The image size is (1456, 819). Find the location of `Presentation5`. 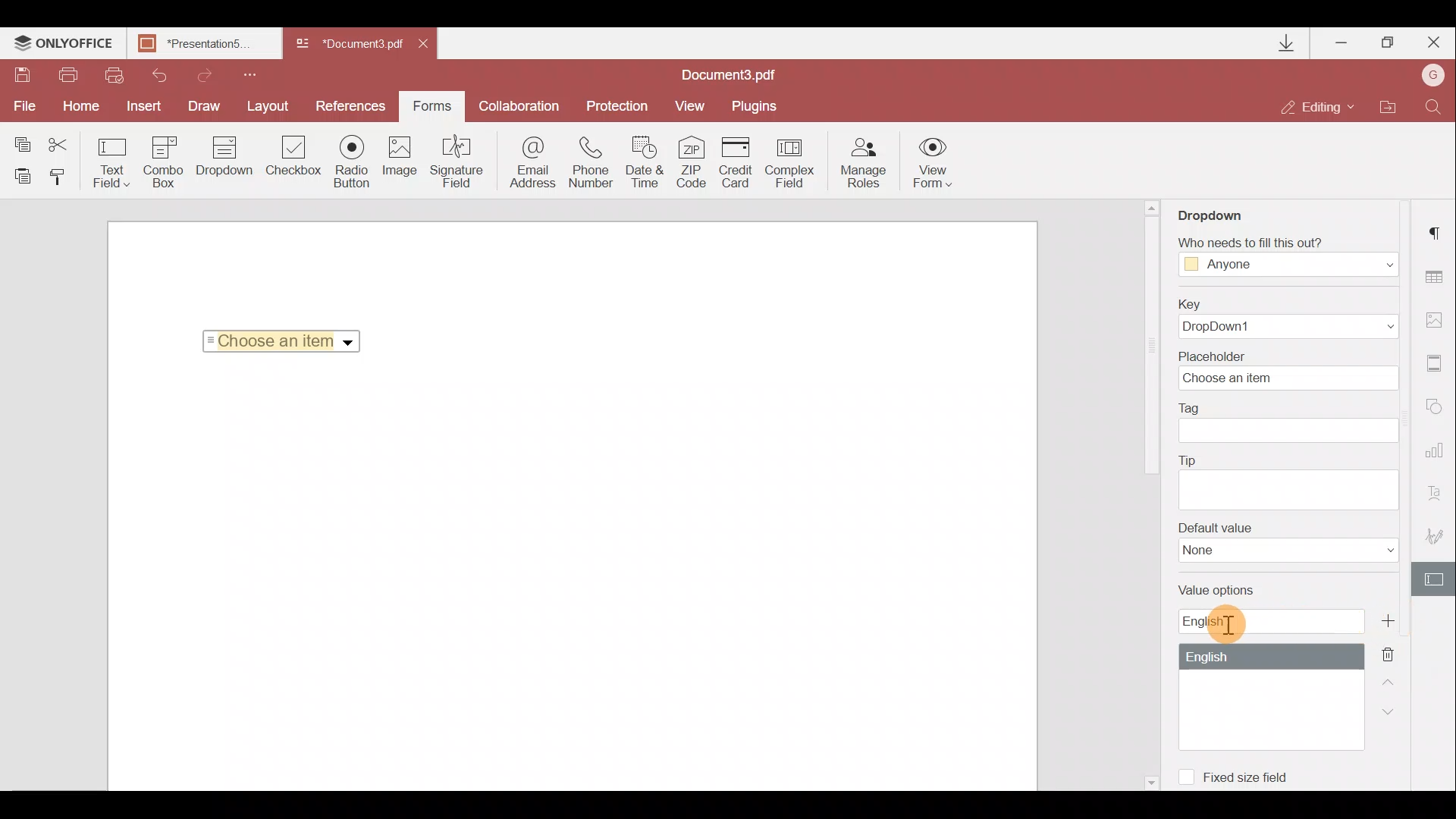

Presentation5 is located at coordinates (201, 45).